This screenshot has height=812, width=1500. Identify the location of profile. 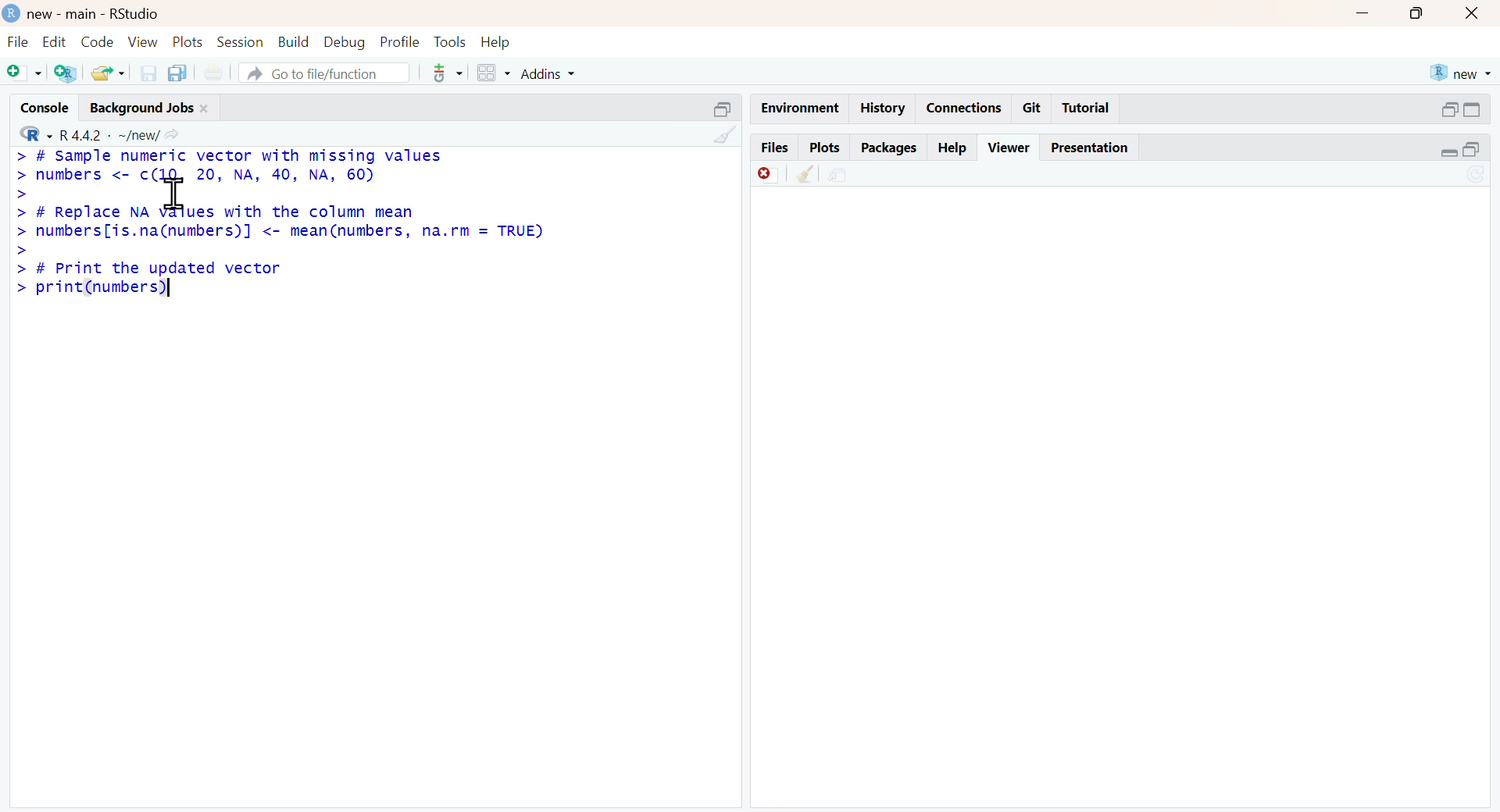
(402, 42).